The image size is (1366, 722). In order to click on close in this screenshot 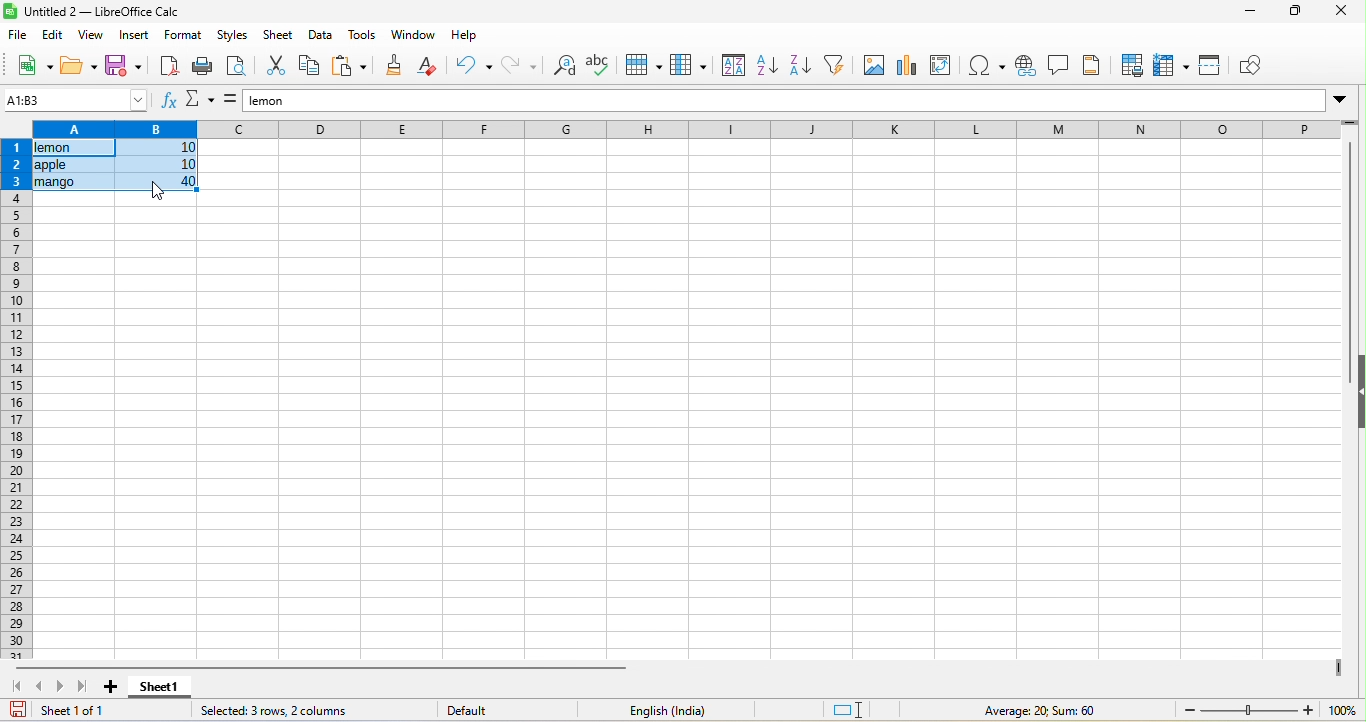, I will do `click(1337, 13)`.